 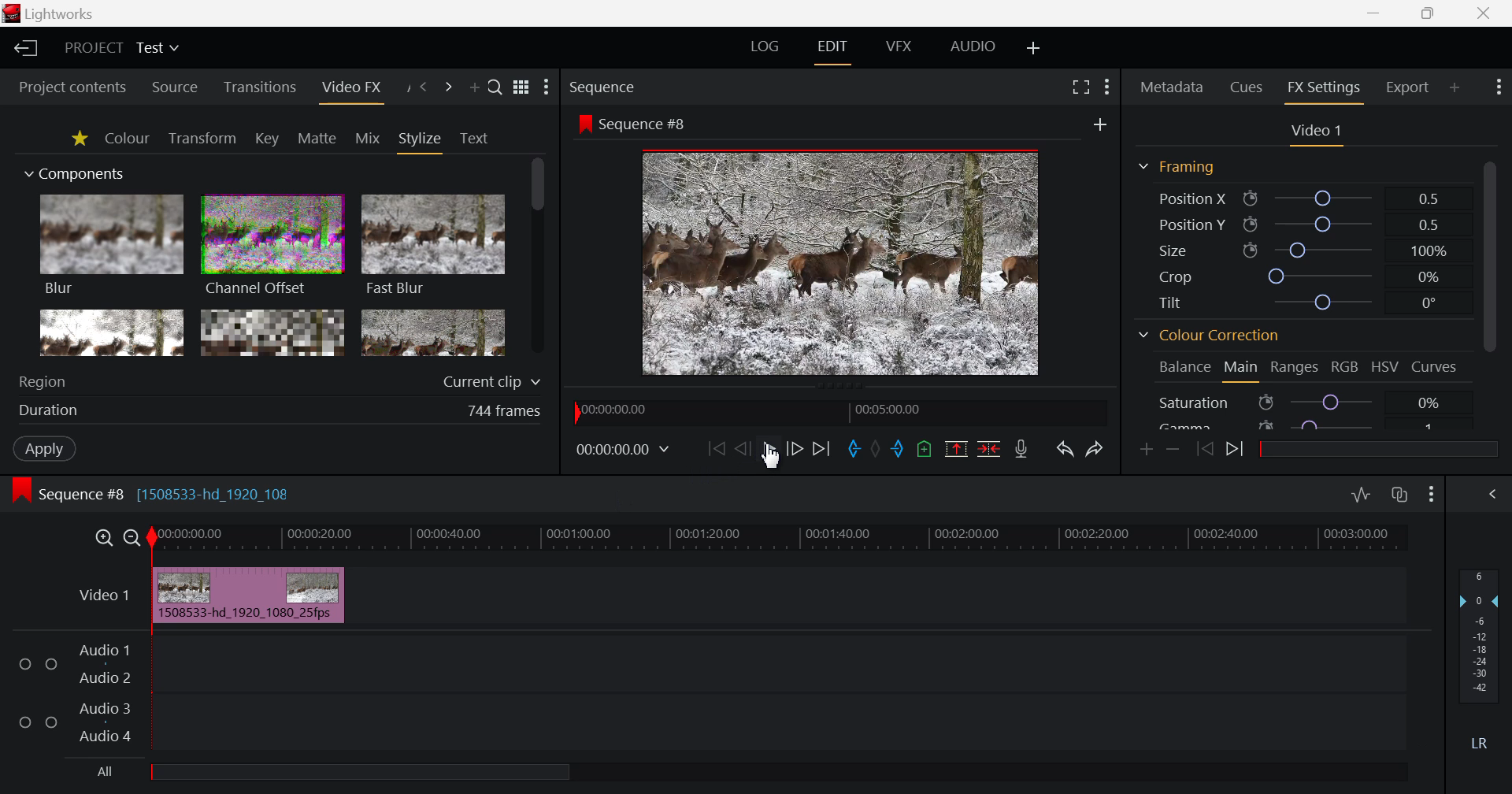 What do you see at coordinates (898, 47) in the screenshot?
I see `VFX Layout` at bounding box center [898, 47].